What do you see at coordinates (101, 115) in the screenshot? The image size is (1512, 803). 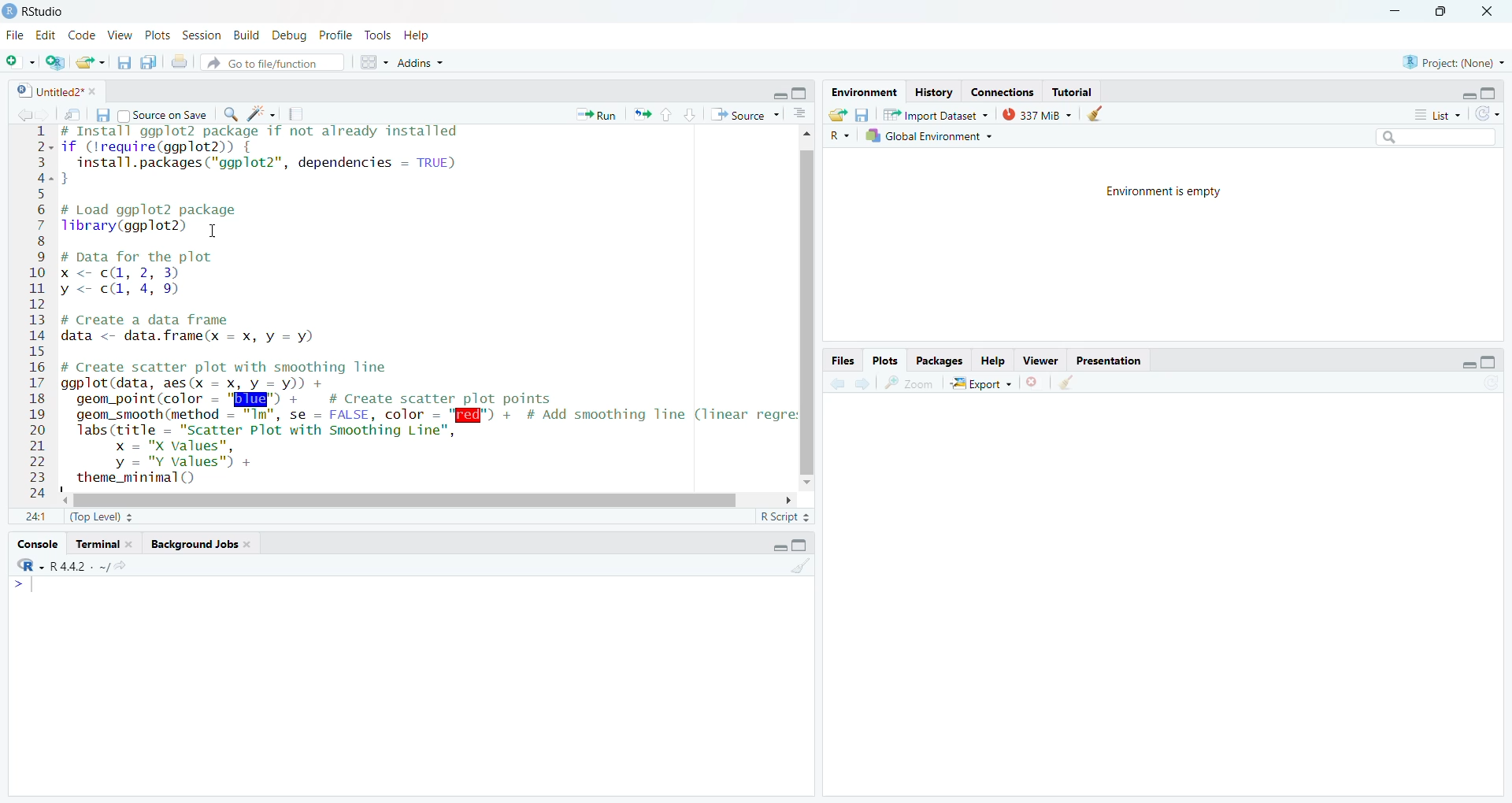 I see `save current file` at bounding box center [101, 115].